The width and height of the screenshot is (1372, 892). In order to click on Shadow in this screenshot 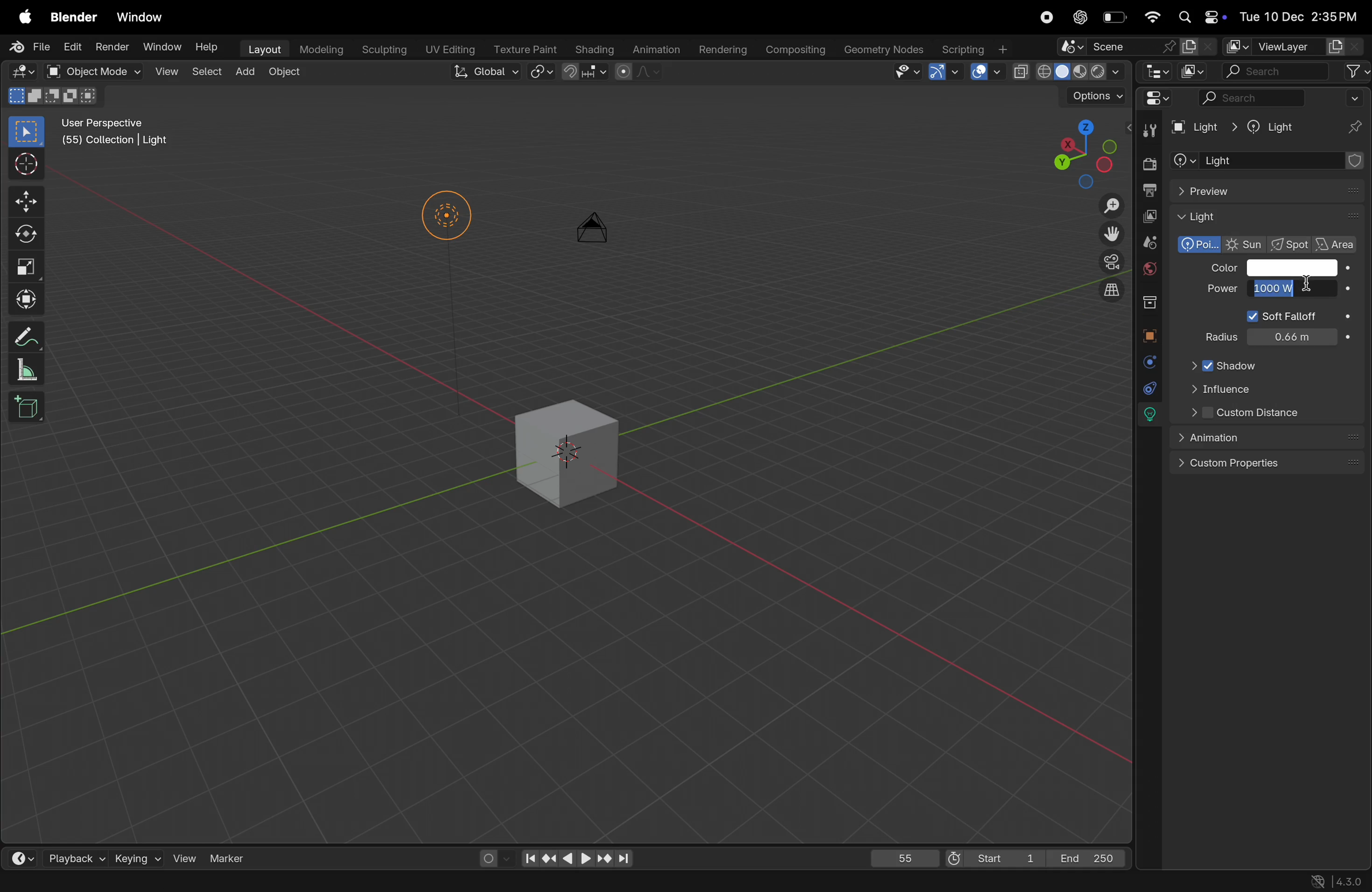, I will do `click(1243, 364)`.